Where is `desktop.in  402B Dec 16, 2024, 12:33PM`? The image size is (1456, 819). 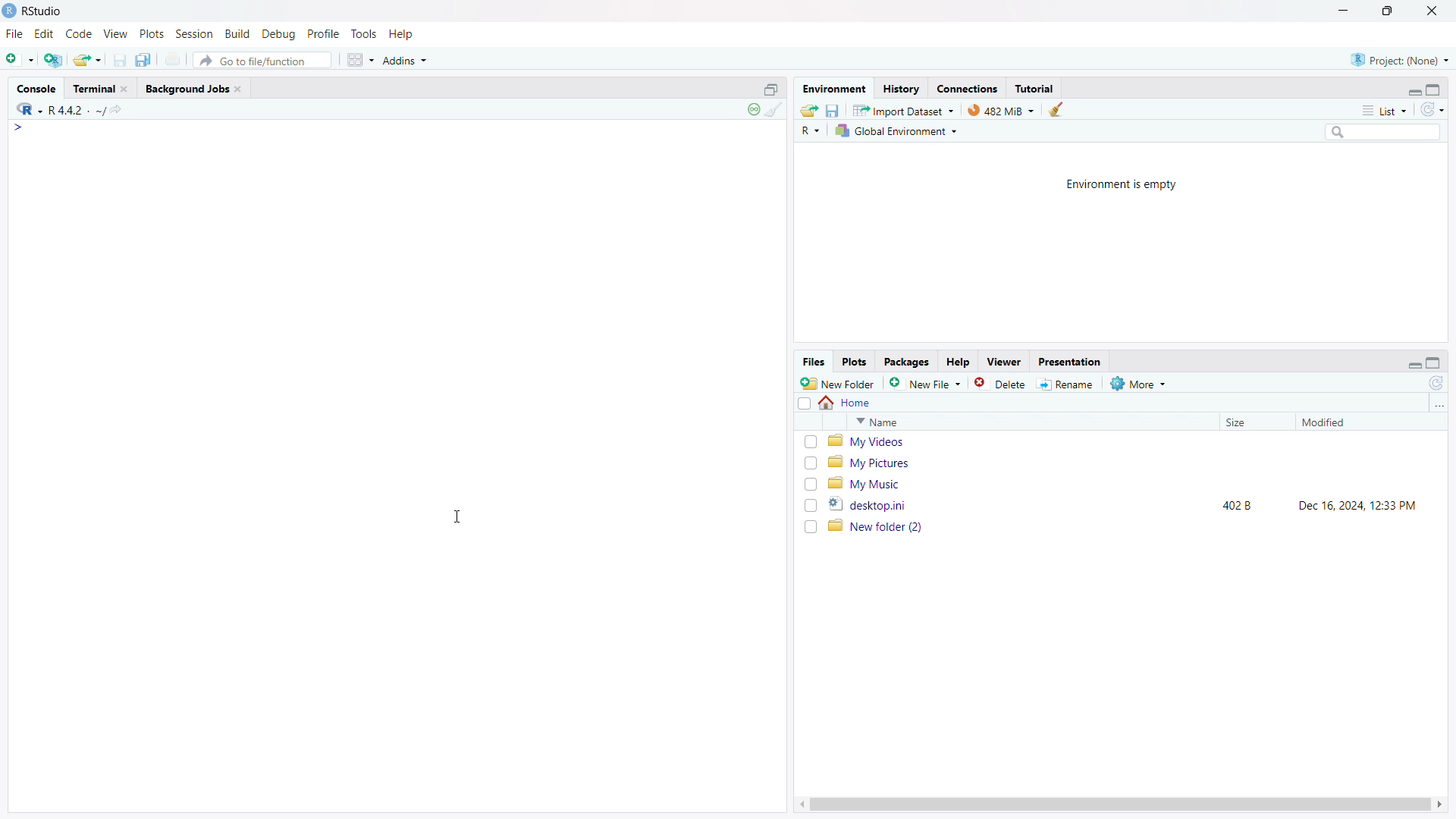 desktop.in  402B Dec 16, 2024, 12:33PM is located at coordinates (1131, 504).